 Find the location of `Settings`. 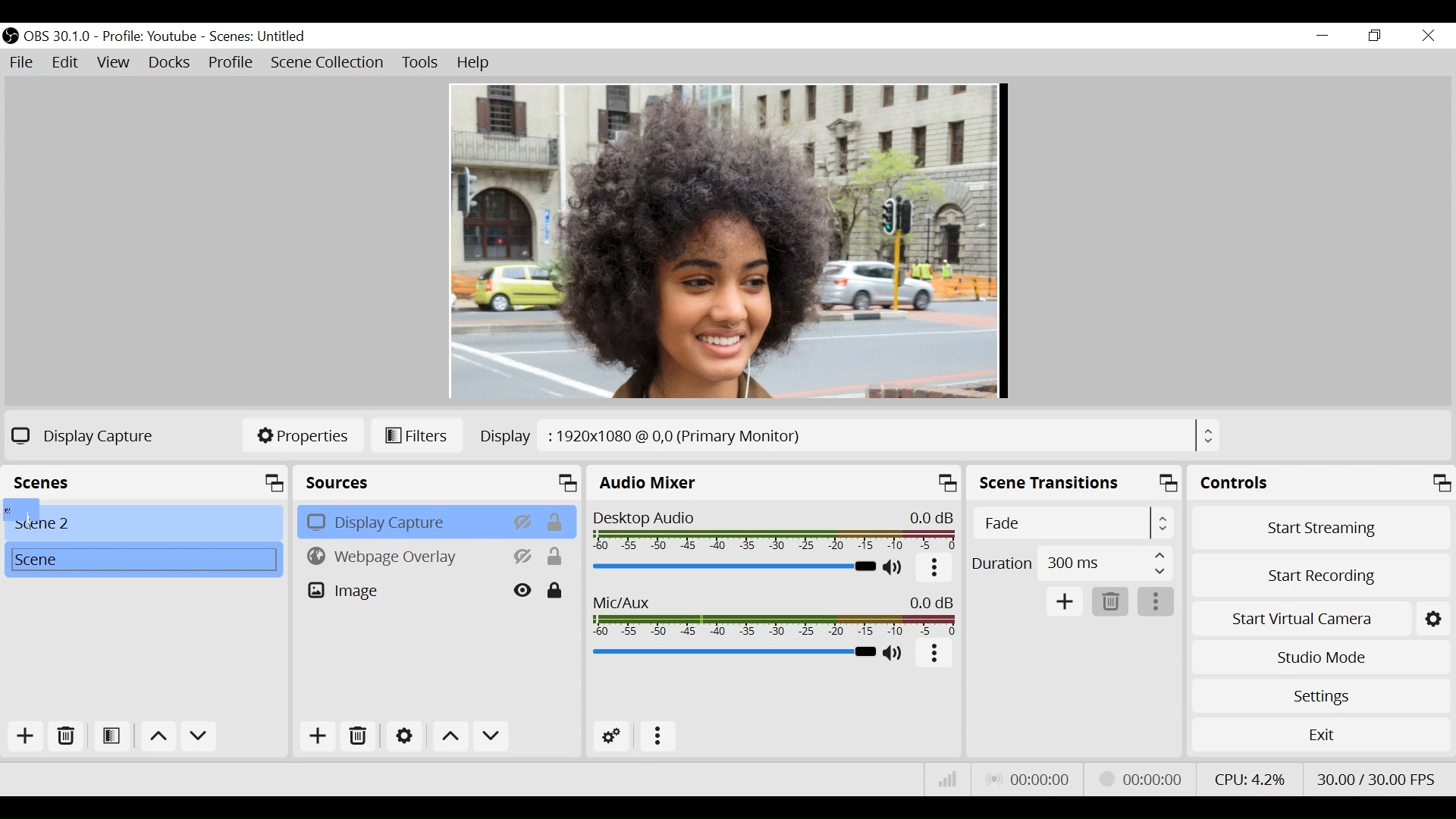

Settings is located at coordinates (1319, 695).